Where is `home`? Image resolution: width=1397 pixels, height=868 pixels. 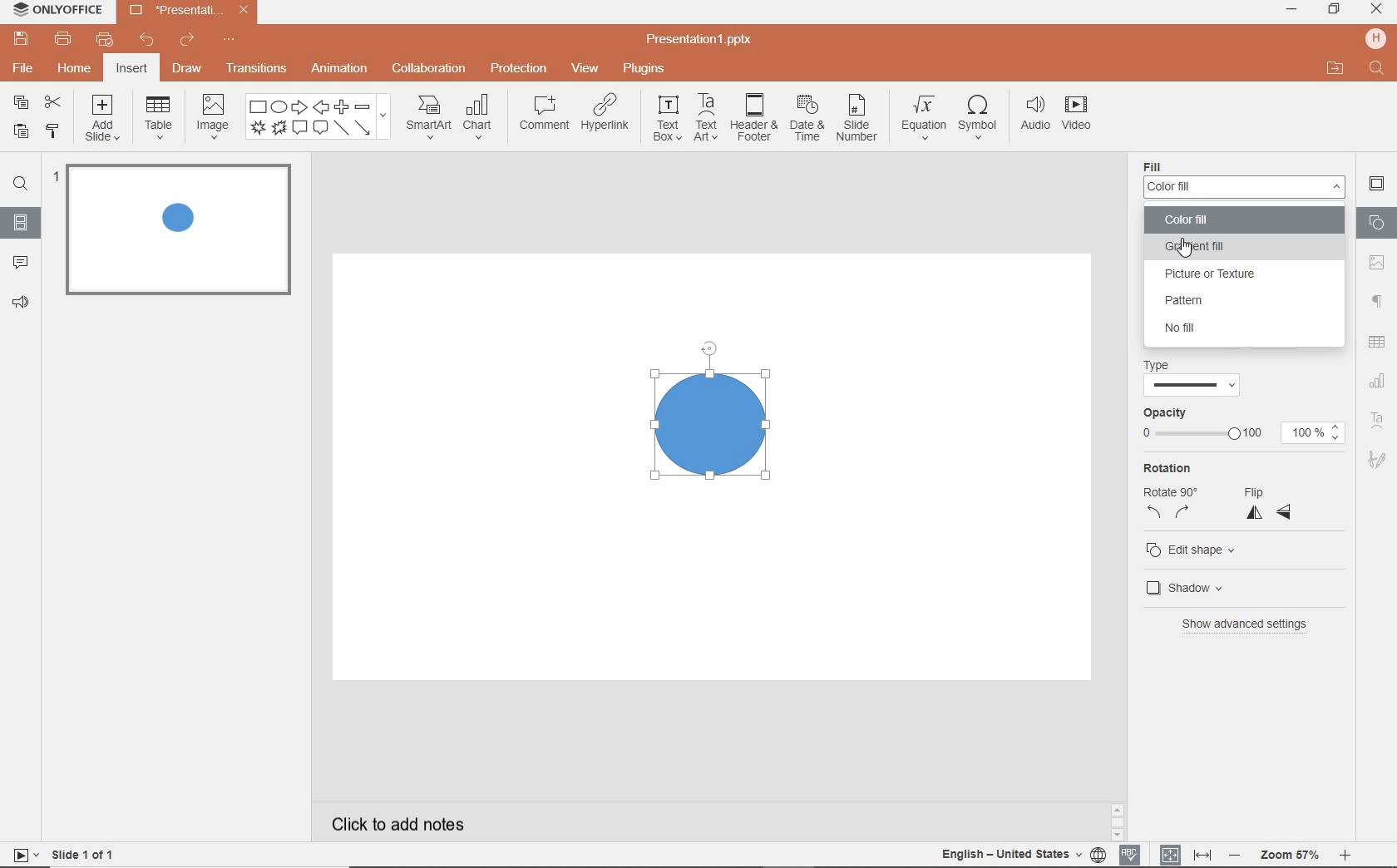
home is located at coordinates (77, 69).